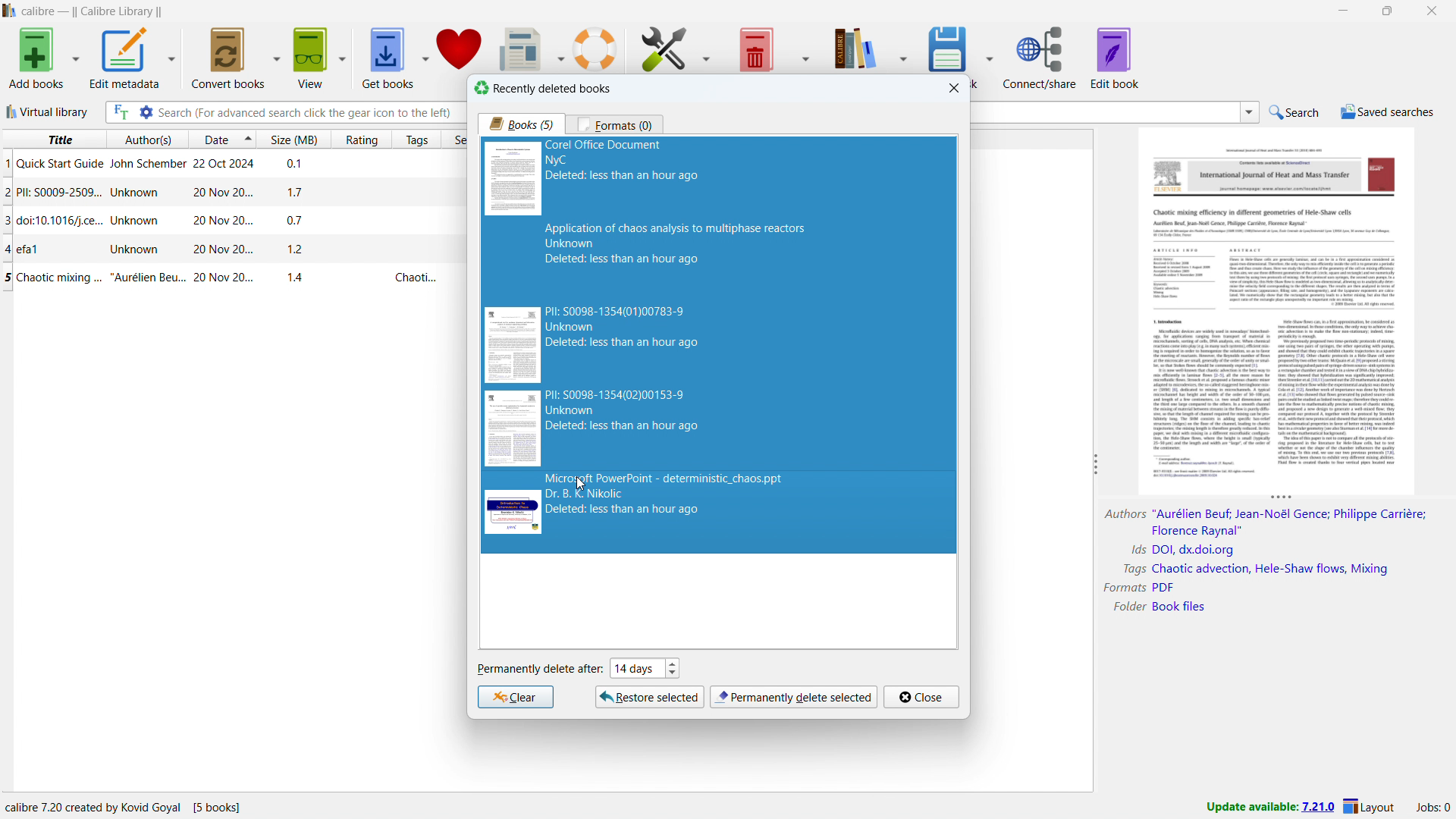 This screenshot has height=819, width=1456. What do you see at coordinates (171, 58) in the screenshot?
I see `edit metadata options` at bounding box center [171, 58].